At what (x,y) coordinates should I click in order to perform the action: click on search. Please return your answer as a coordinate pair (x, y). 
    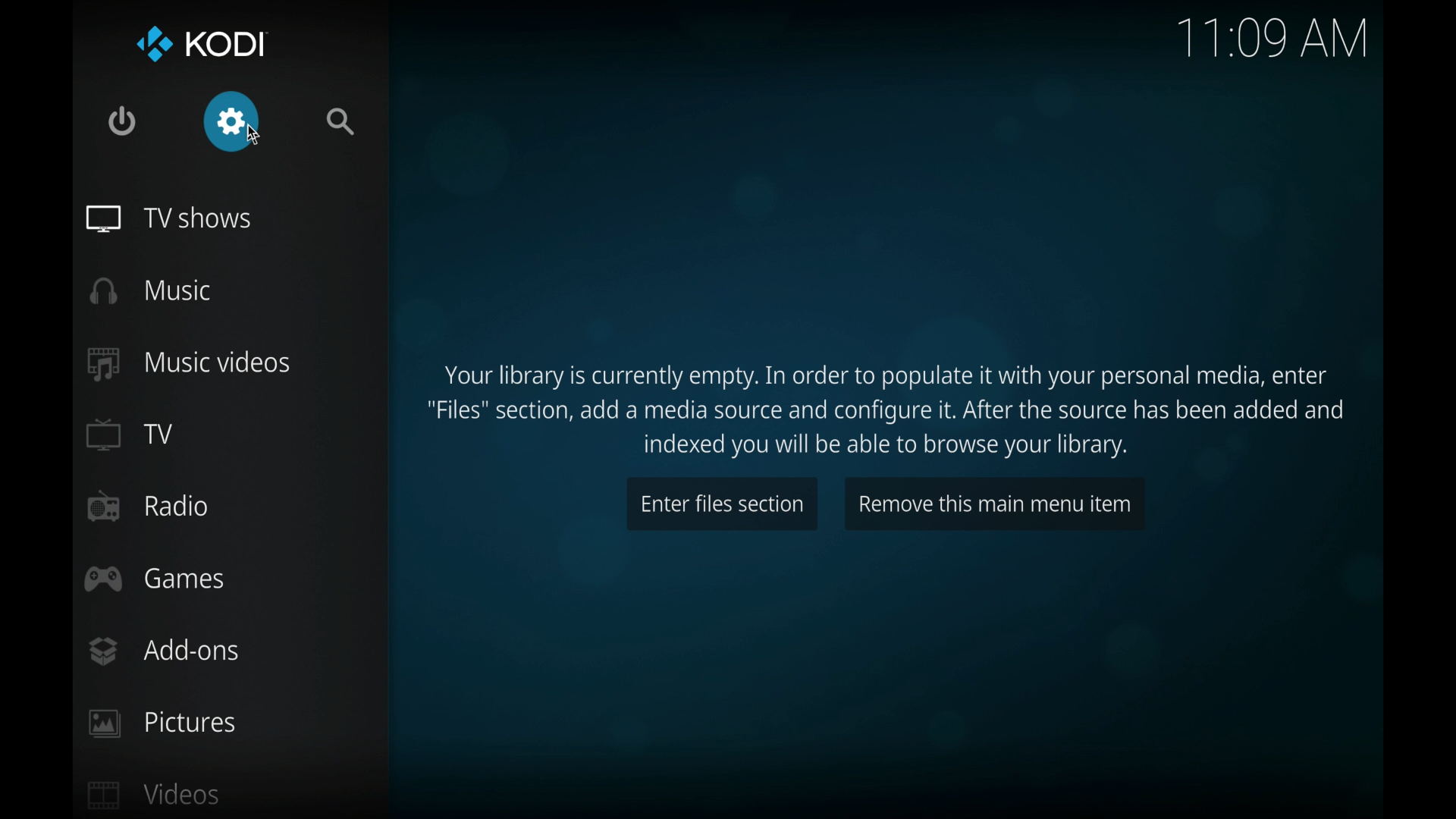
    Looking at the image, I should click on (343, 122).